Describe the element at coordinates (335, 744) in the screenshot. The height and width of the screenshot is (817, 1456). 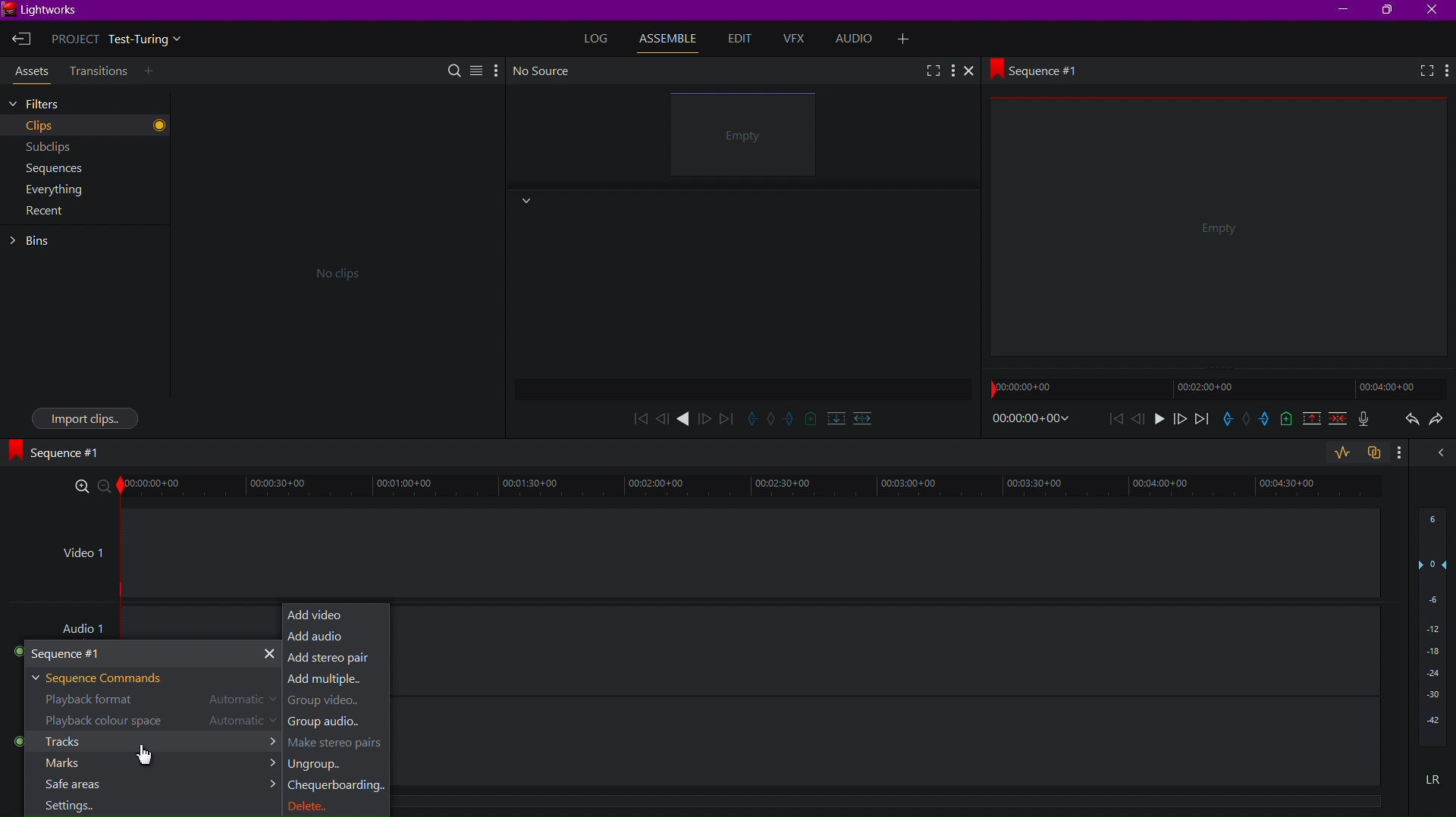
I see `Make stereo pairs` at that location.